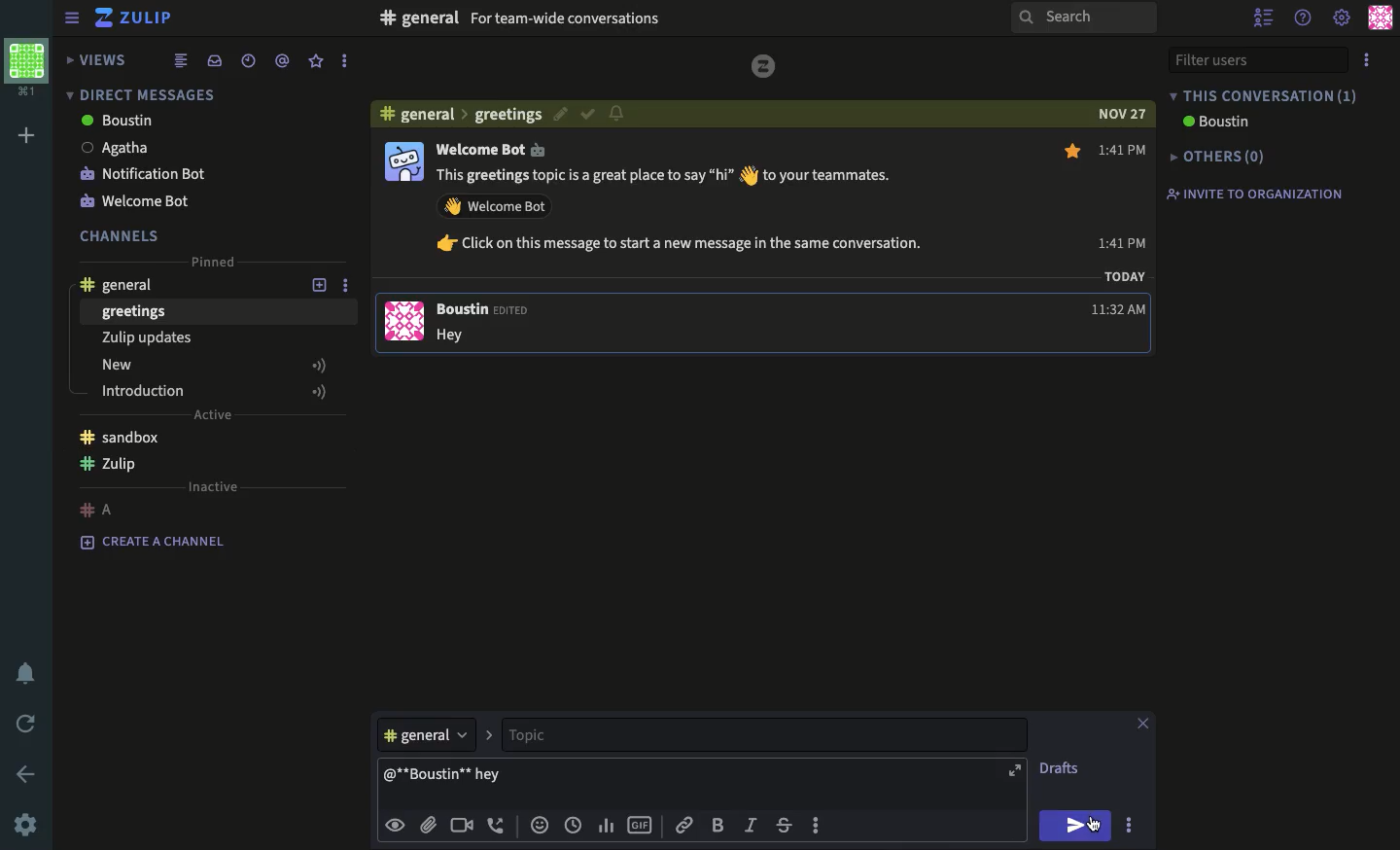 Image resolution: width=1400 pixels, height=850 pixels. I want to click on new, so click(213, 365).